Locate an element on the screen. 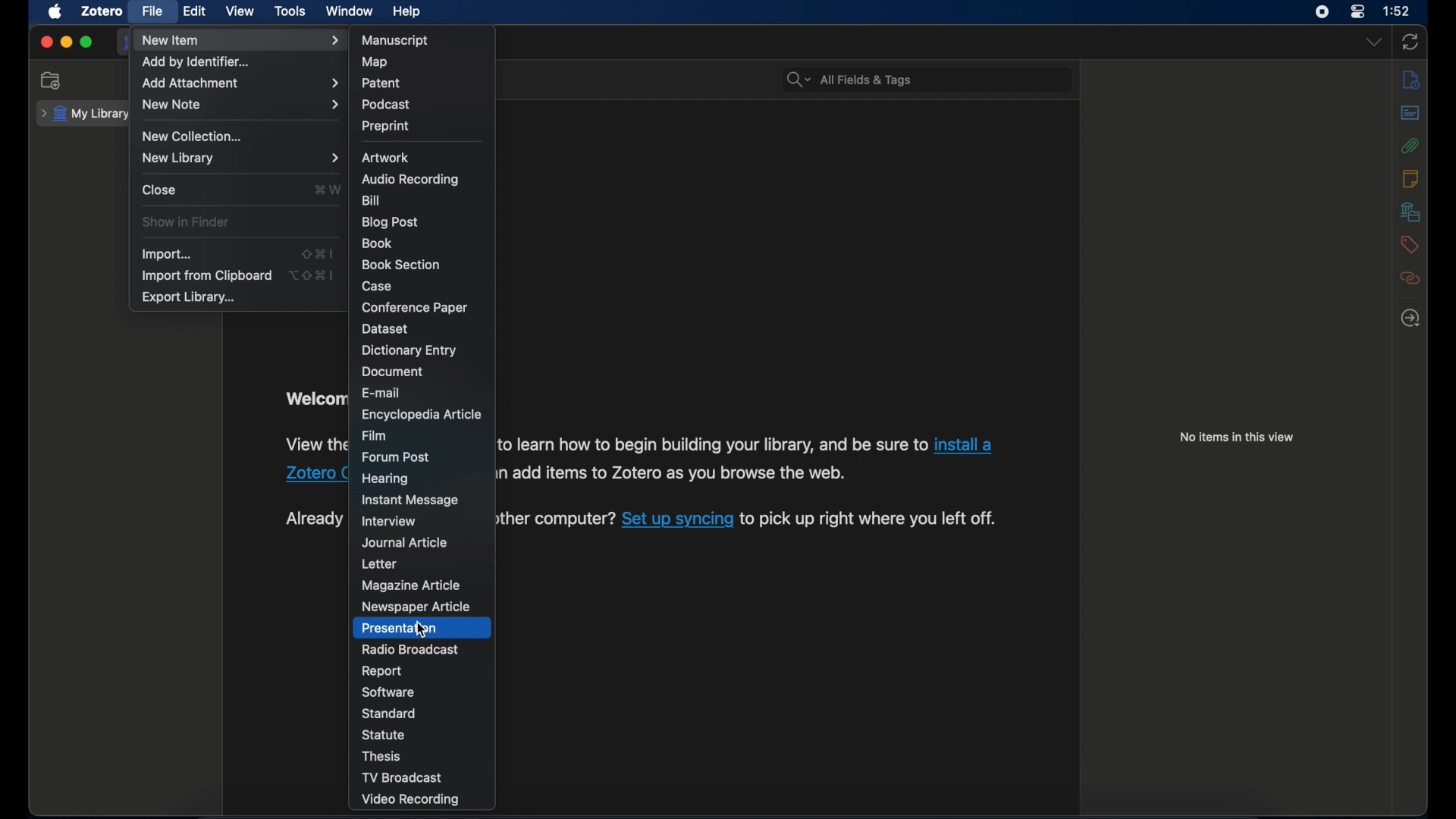  help is located at coordinates (406, 11).